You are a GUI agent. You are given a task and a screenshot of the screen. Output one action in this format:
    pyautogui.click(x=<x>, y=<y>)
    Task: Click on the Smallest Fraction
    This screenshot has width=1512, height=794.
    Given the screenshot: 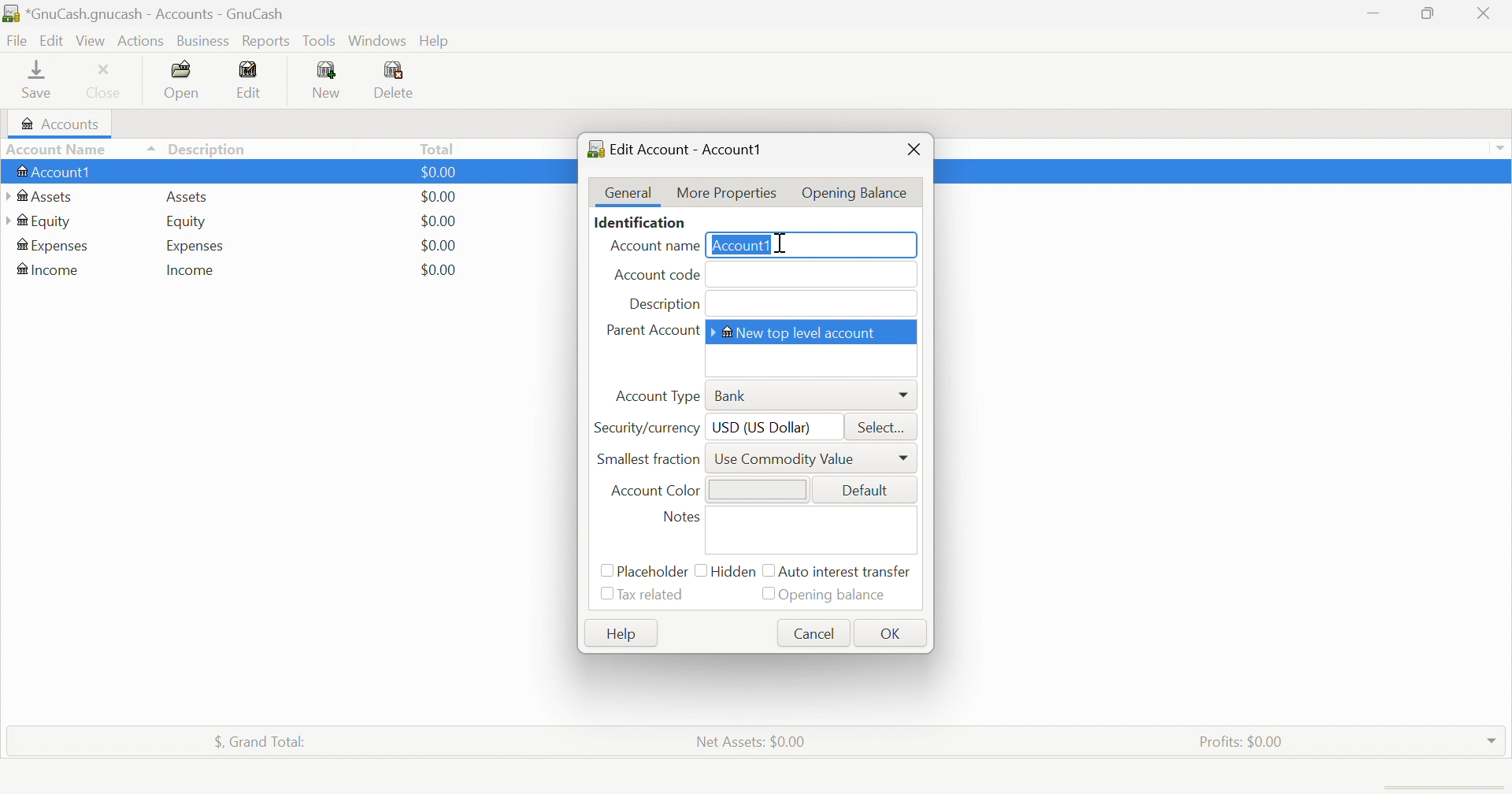 What is the action you would take?
    pyautogui.click(x=647, y=458)
    